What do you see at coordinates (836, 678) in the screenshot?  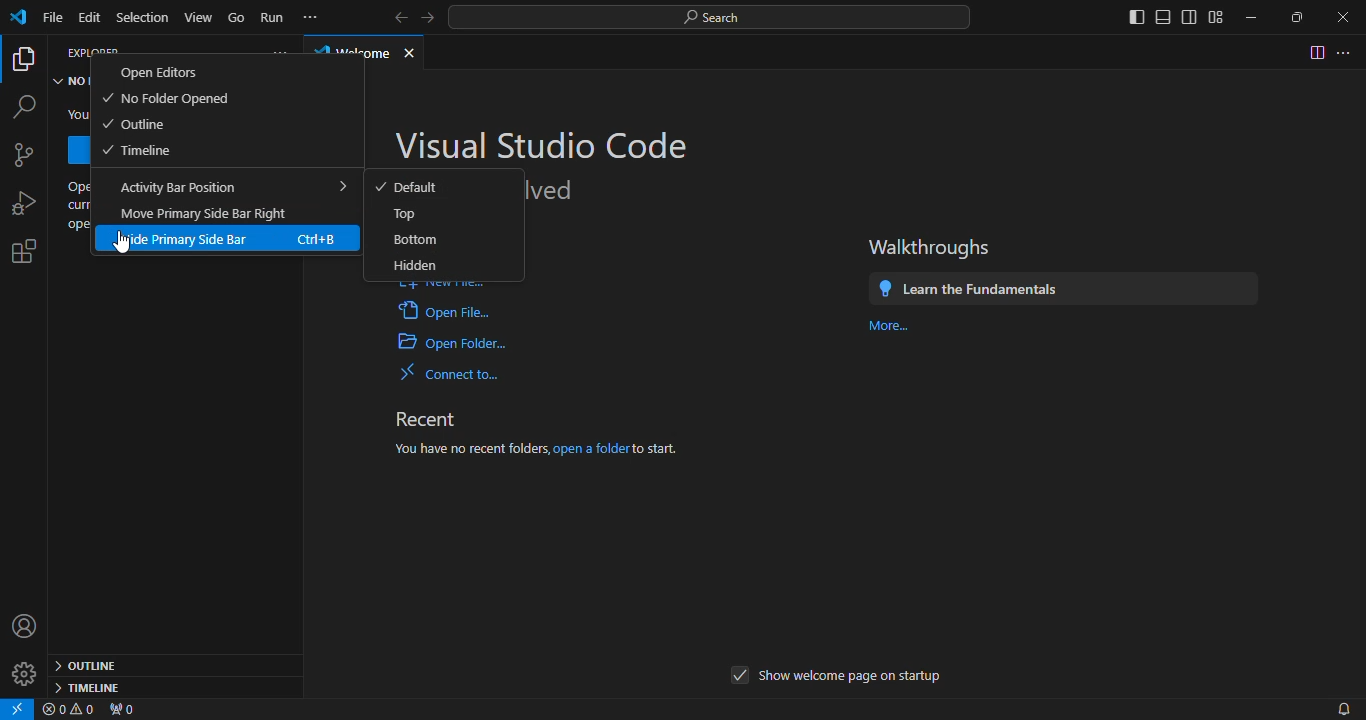 I see `show welcome page on startup` at bounding box center [836, 678].